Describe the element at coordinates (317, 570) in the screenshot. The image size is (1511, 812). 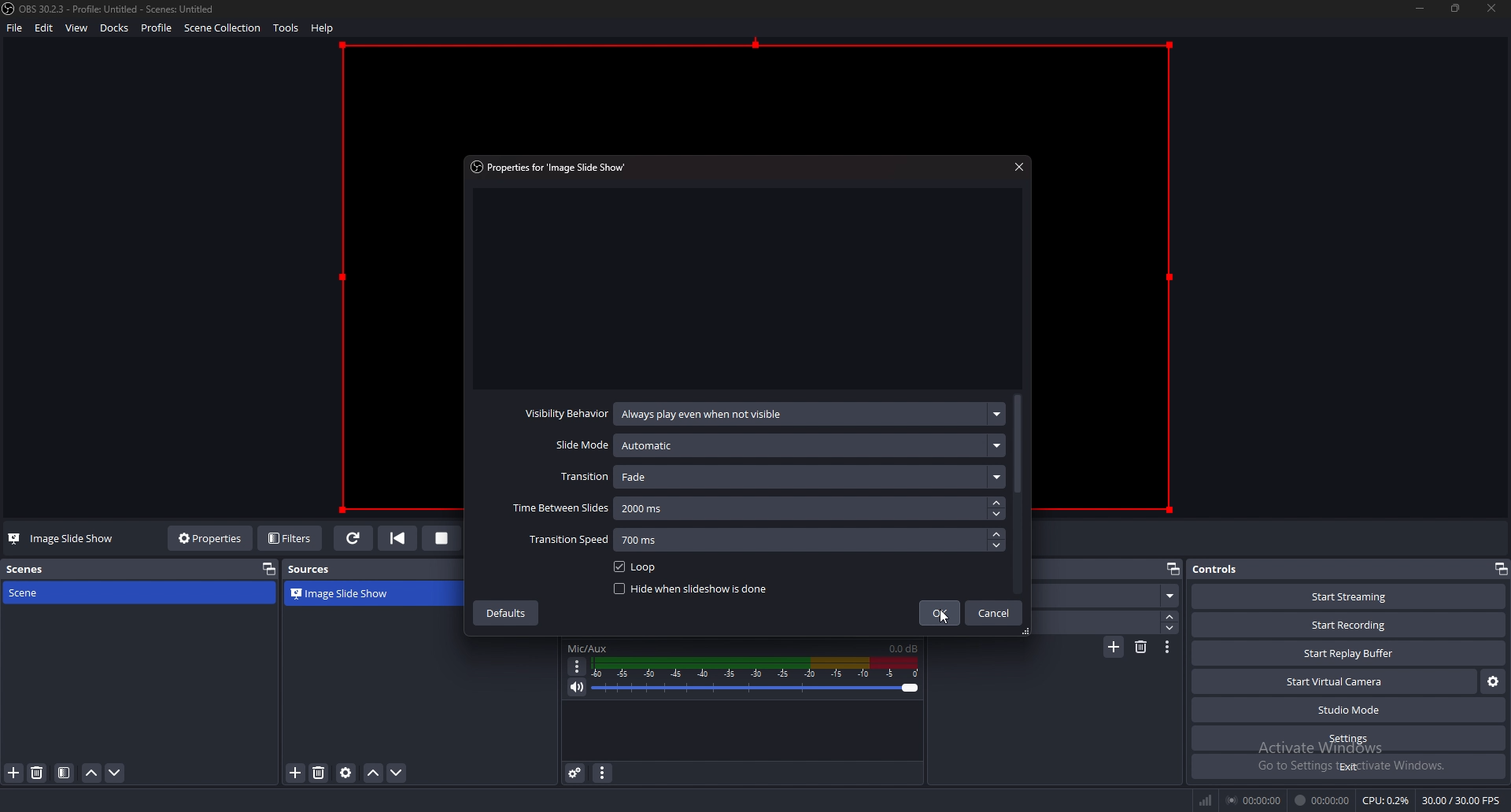
I see `sources` at that location.